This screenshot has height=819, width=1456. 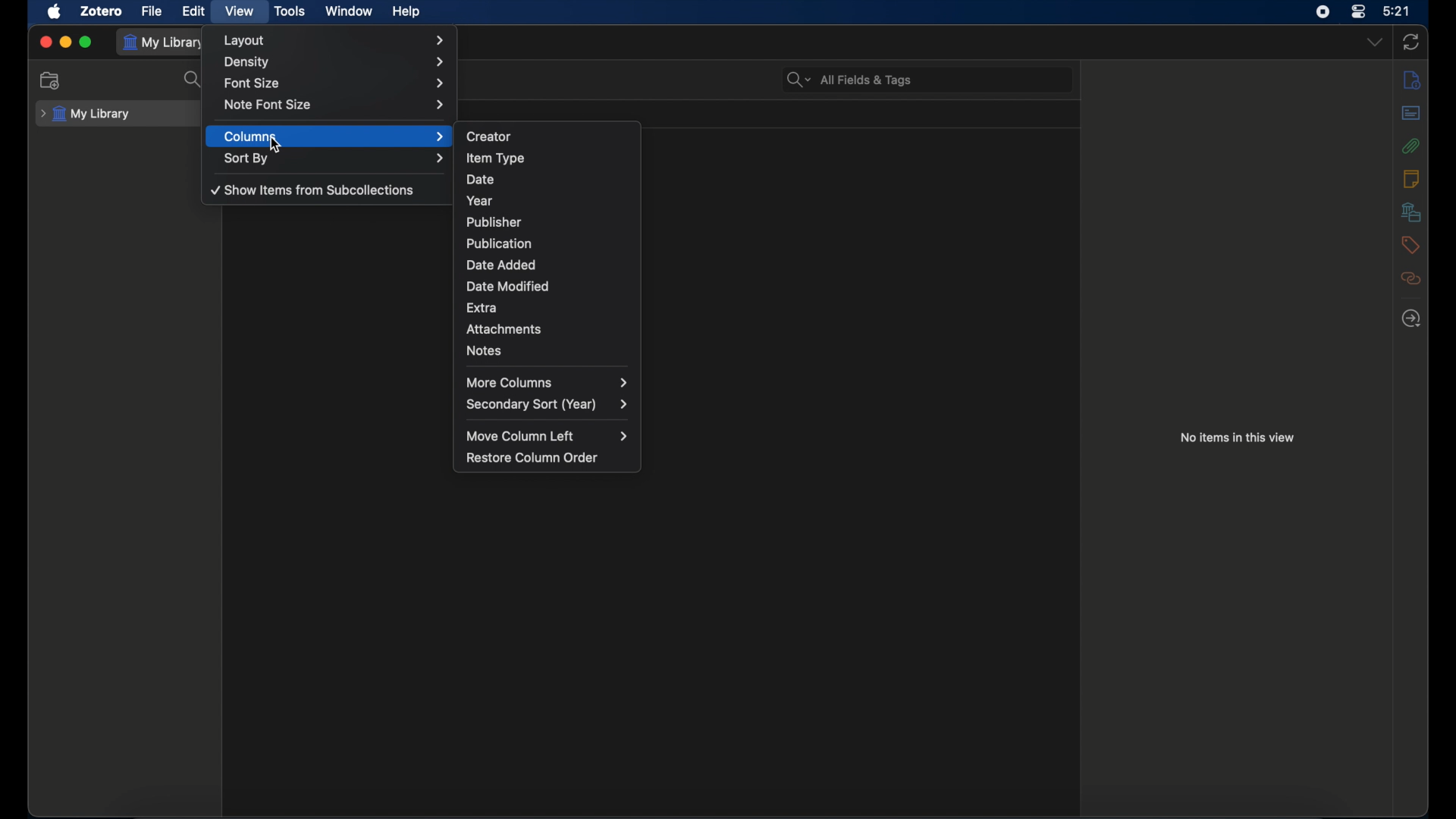 What do you see at coordinates (548, 436) in the screenshot?
I see `move column left` at bounding box center [548, 436].